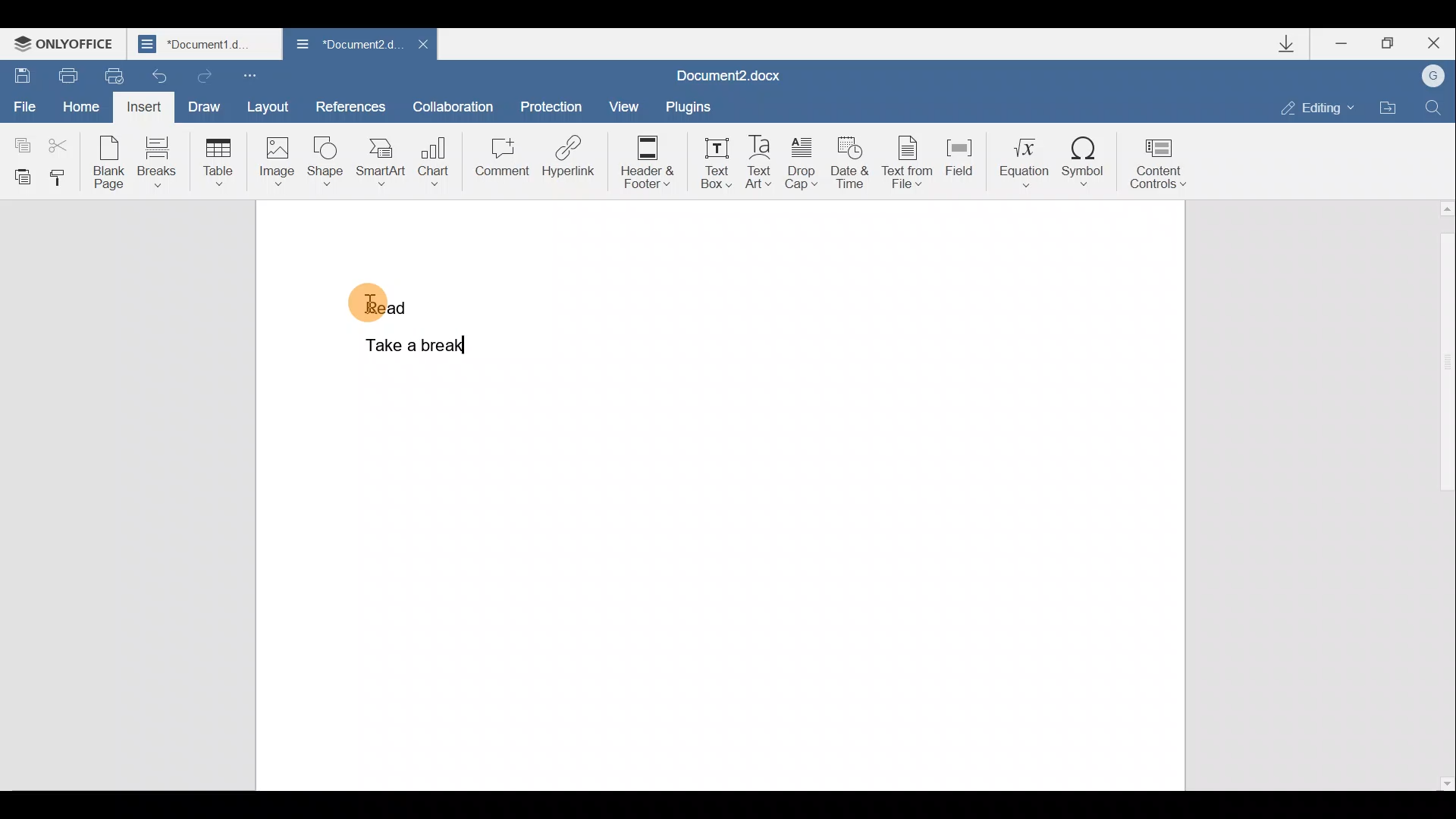 This screenshot has width=1456, height=819. Describe the element at coordinates (409, 343) in the screenshot. I see `Take a break` at that location.